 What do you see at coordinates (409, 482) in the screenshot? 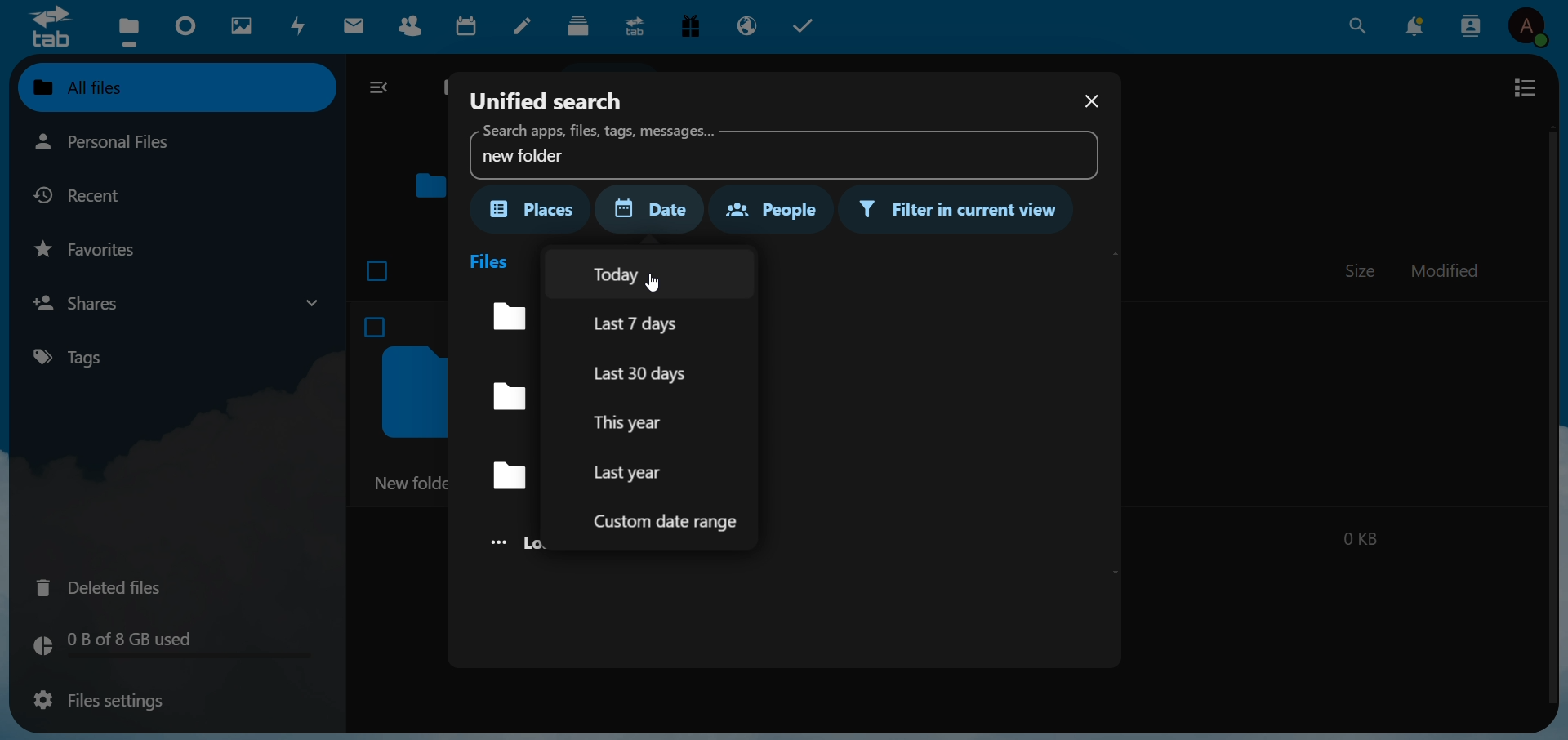
I see `new folder` at bounding box center [409, 482].